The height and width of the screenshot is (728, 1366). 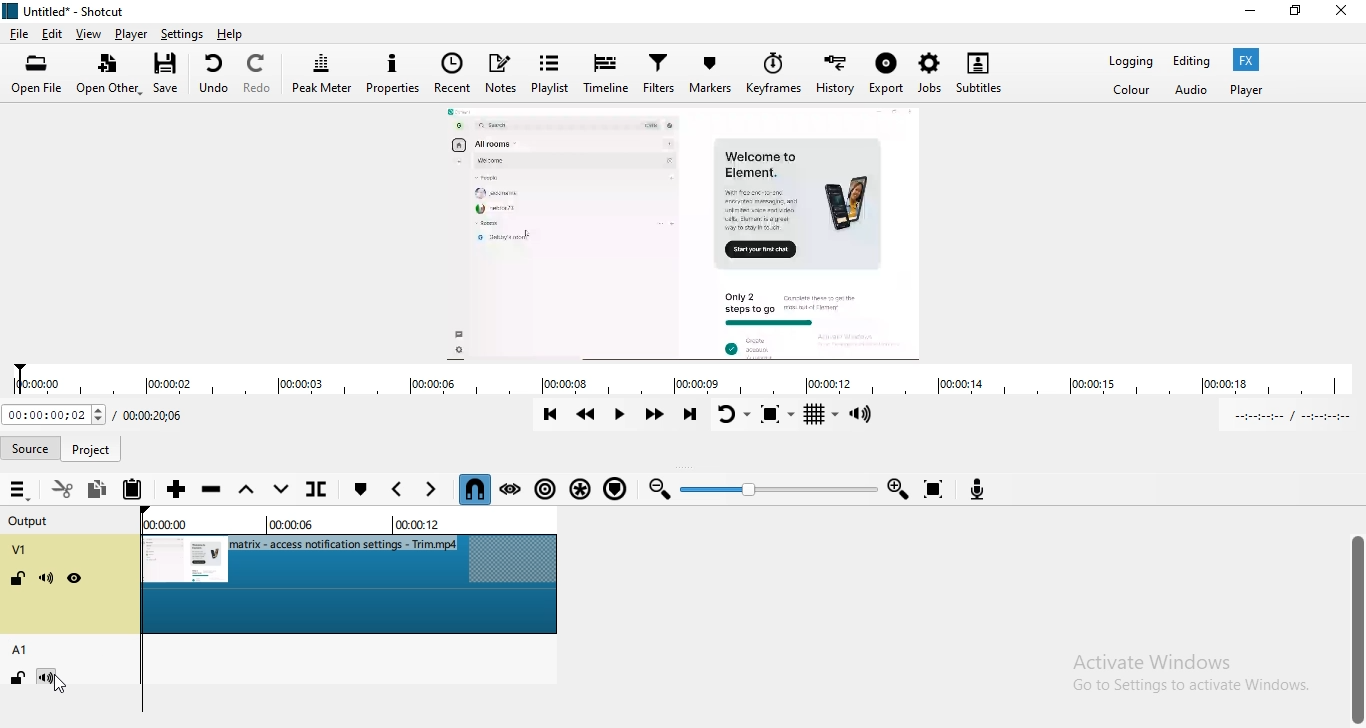 What do you see at coordinates (930, 75) in the screenshot?
I see `Jobs` at bounding box center [930, 75].